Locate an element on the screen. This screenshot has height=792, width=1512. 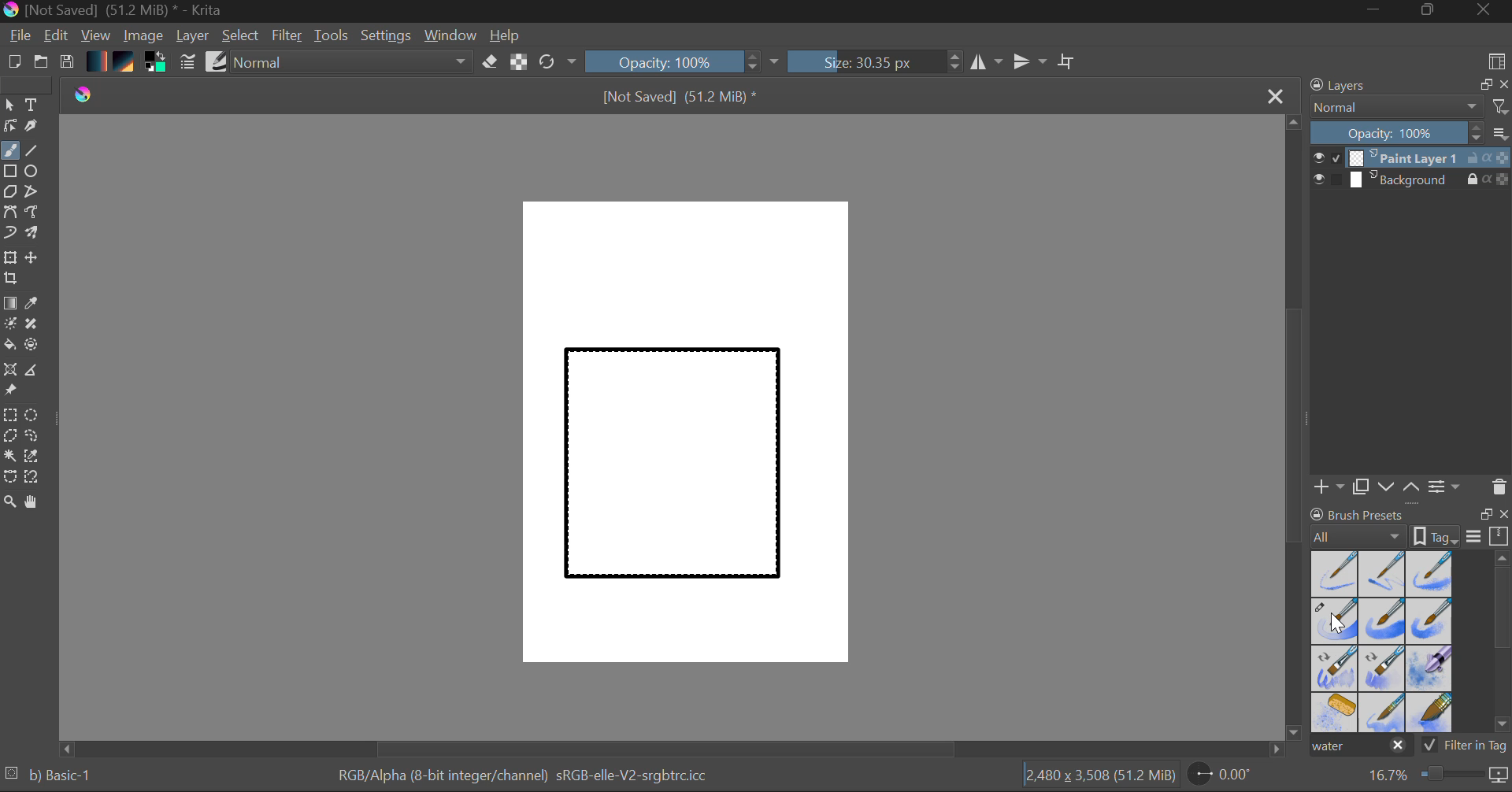
Continuous Selection is located at coordinates (9, 455).